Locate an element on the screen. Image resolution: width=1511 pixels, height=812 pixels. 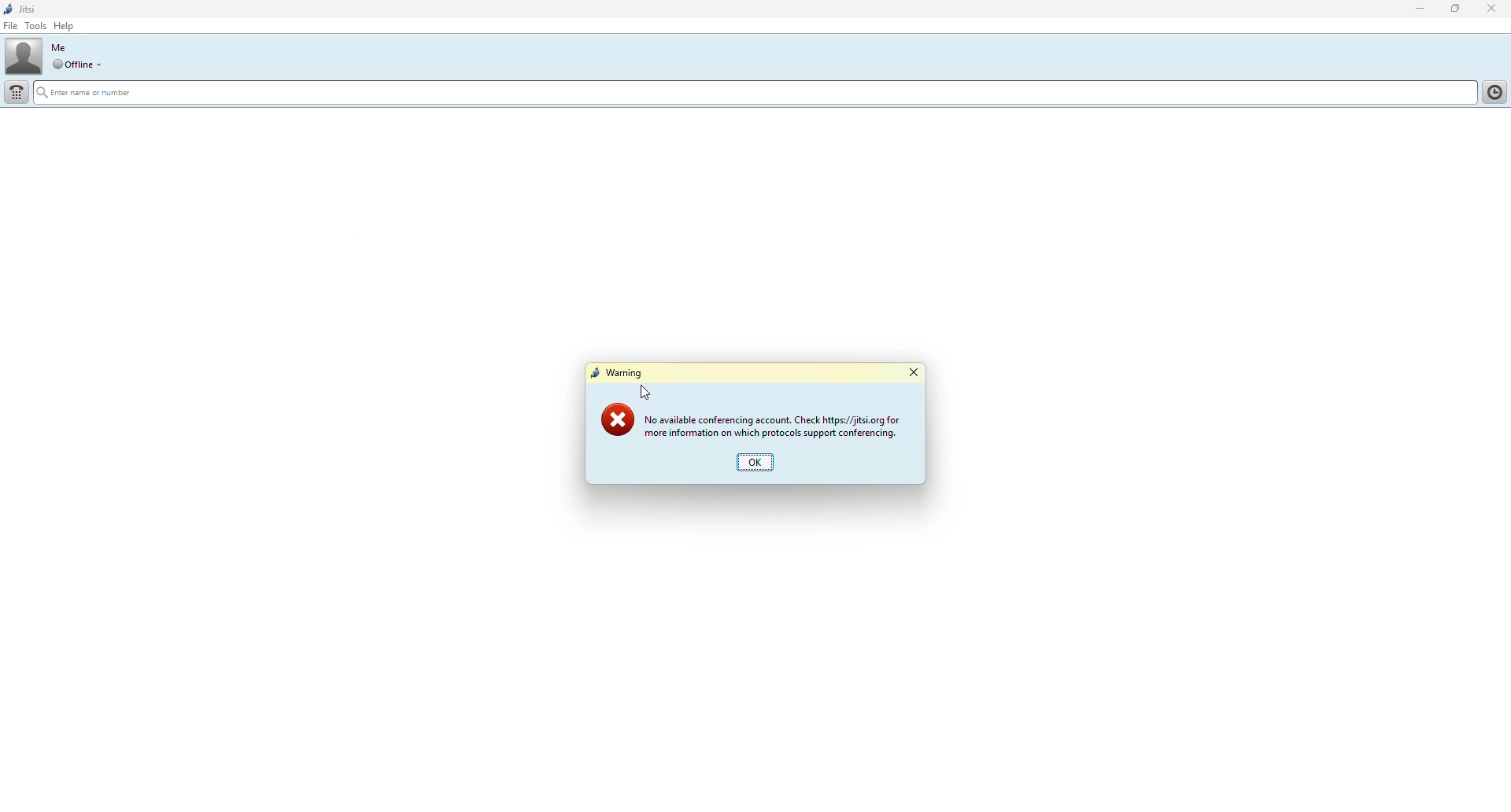
profile is located at coordinates (21, 57).